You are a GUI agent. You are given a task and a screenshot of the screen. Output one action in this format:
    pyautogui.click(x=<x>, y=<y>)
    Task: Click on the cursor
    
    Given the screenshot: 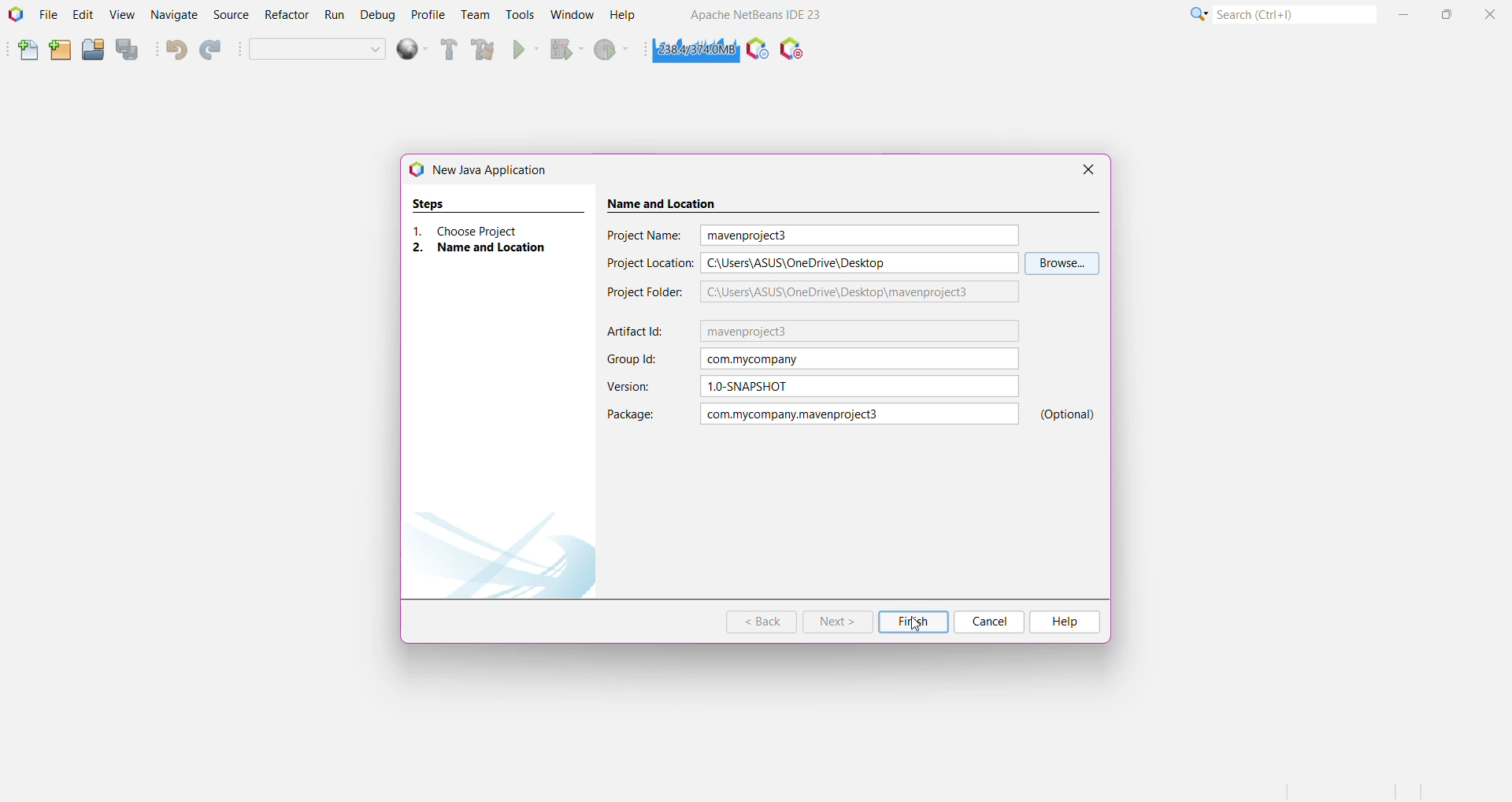 What is the action you would take?
    pyautogui.click(x=917, y=622)
    